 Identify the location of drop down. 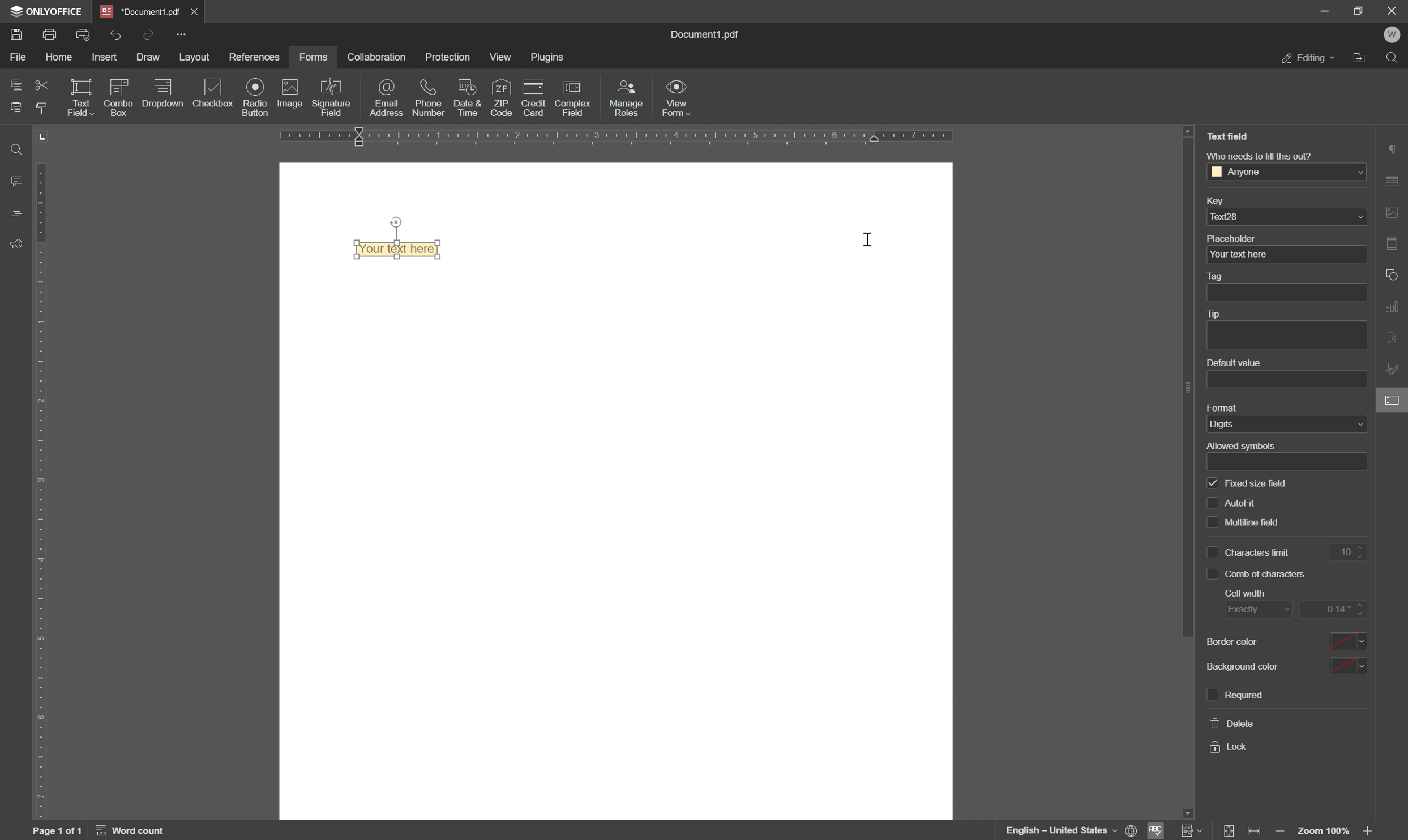
(1349, 642).